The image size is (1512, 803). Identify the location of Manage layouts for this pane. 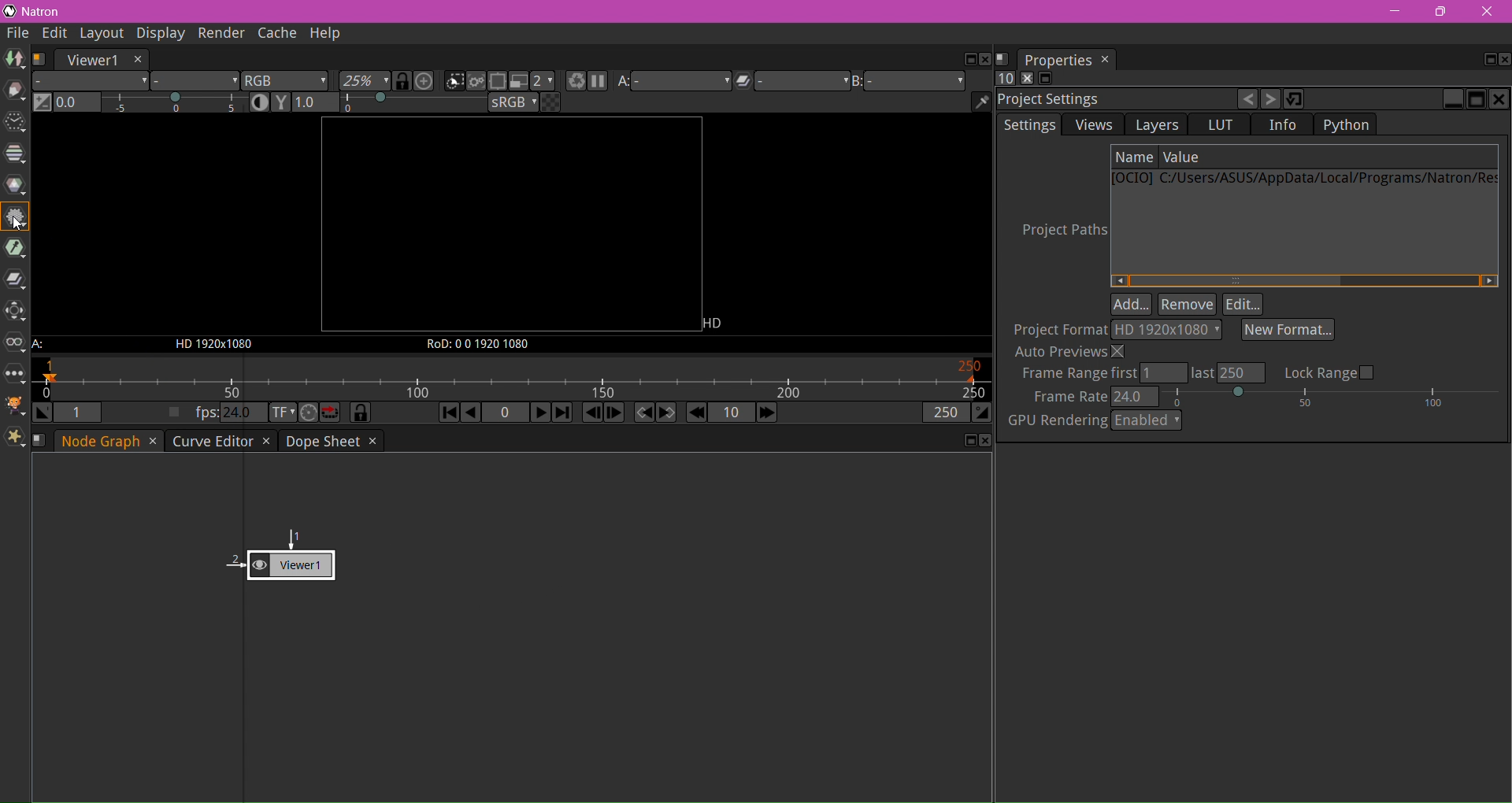
(40, 59).